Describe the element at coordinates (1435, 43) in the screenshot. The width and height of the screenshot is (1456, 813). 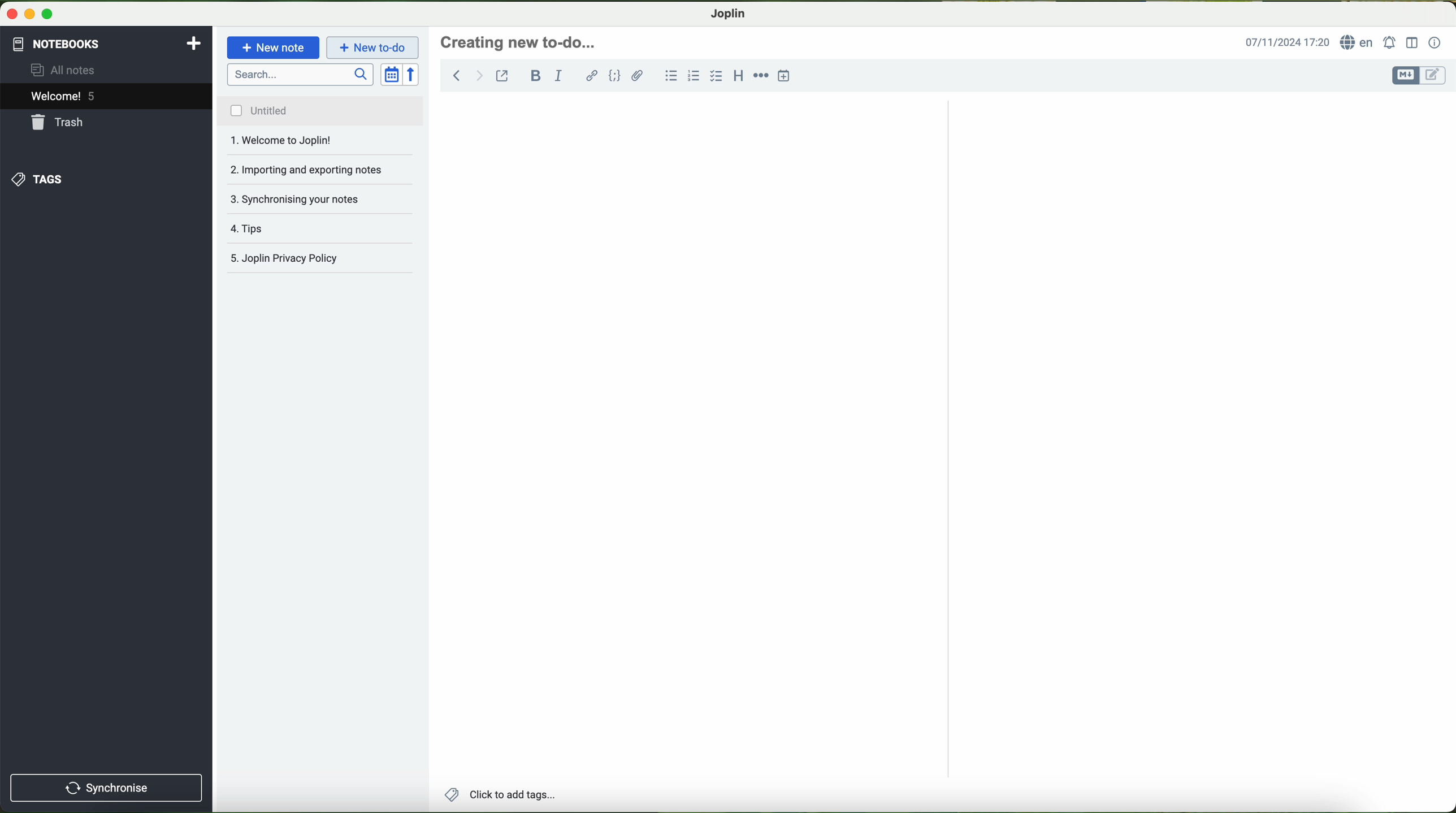
I see `note properties` at that location.